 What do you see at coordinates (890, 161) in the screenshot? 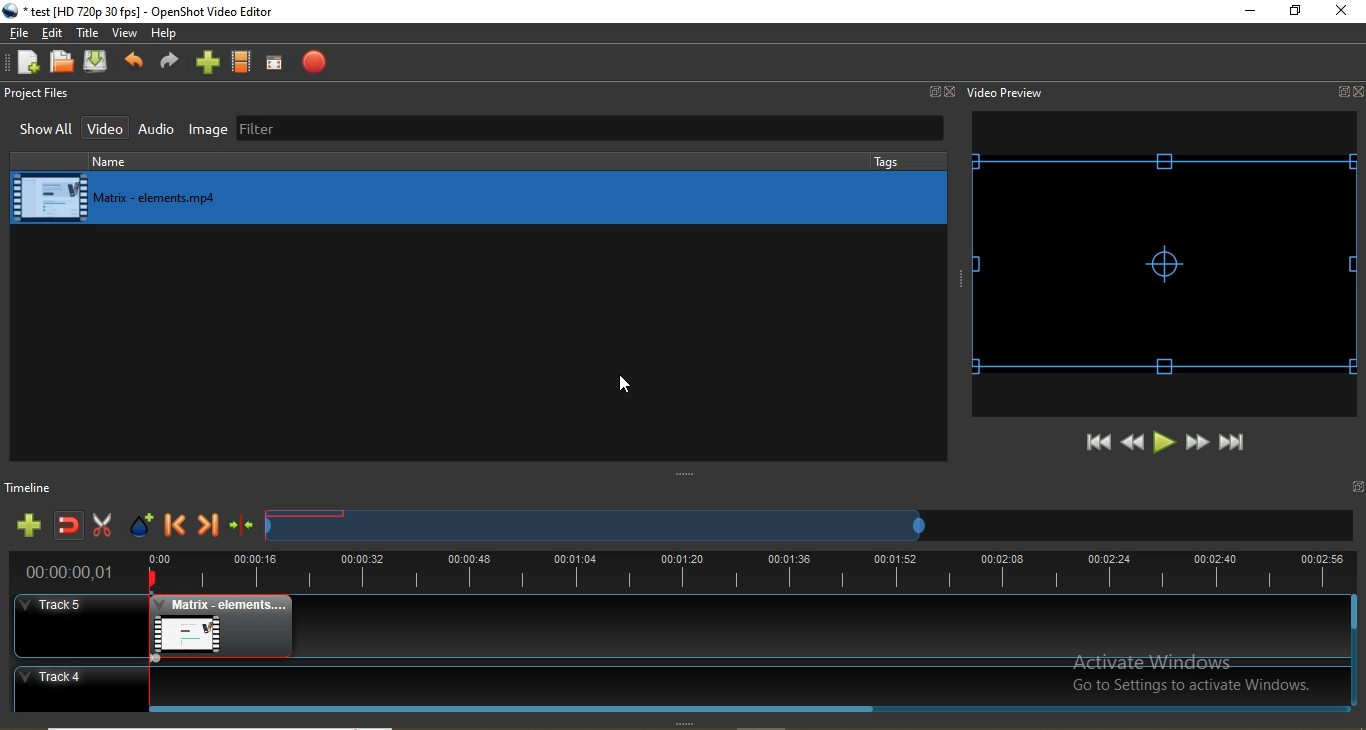
I see `tags` at bounding box center [890, 161].